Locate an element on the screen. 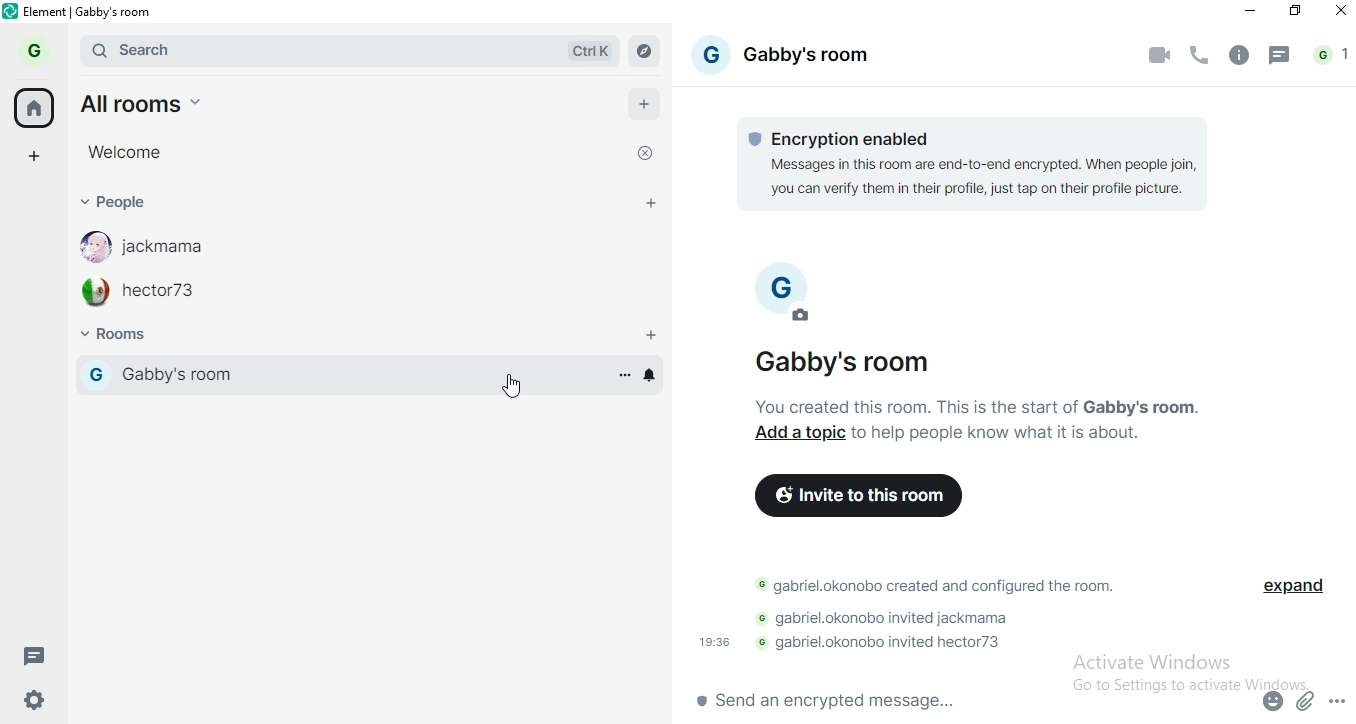  gabby room is located at coordinates (330, 376).